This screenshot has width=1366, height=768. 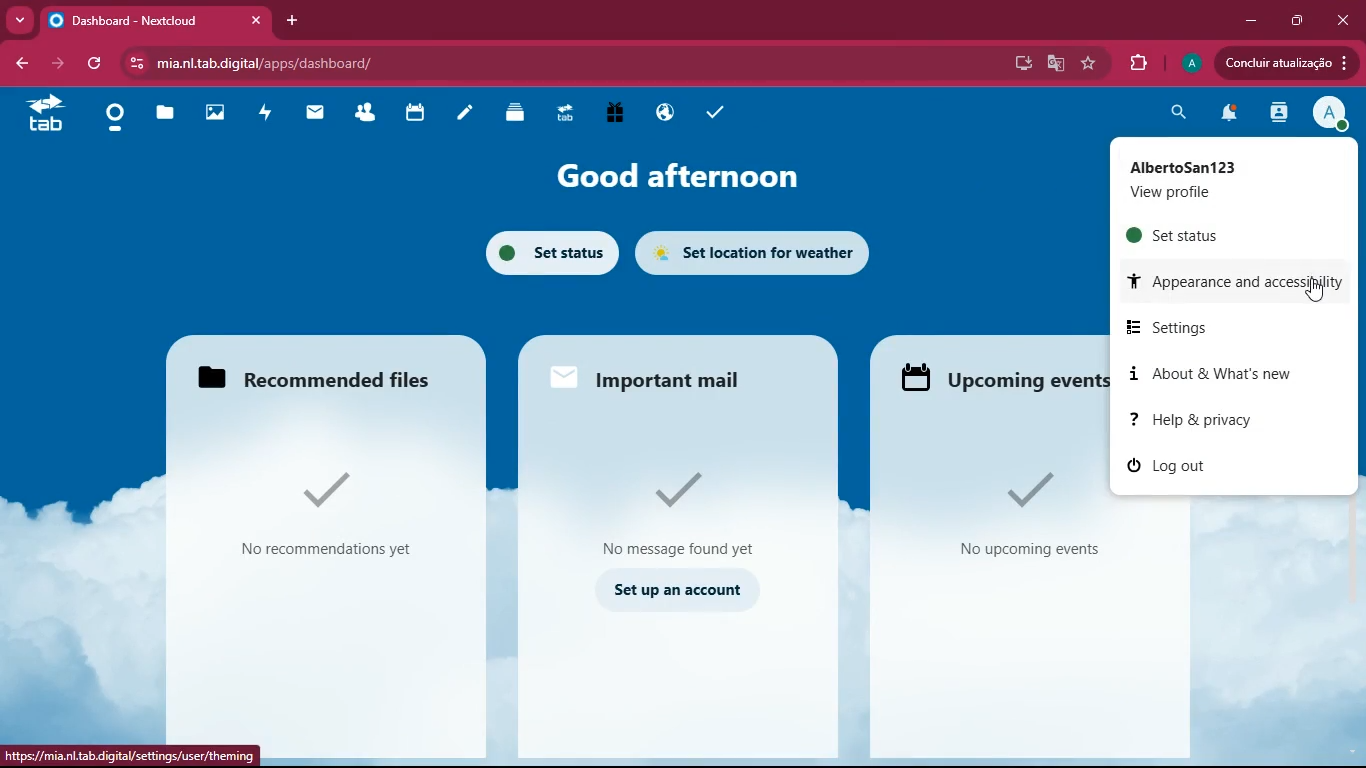 I want to click on extension, so click(x=1138, y=60).